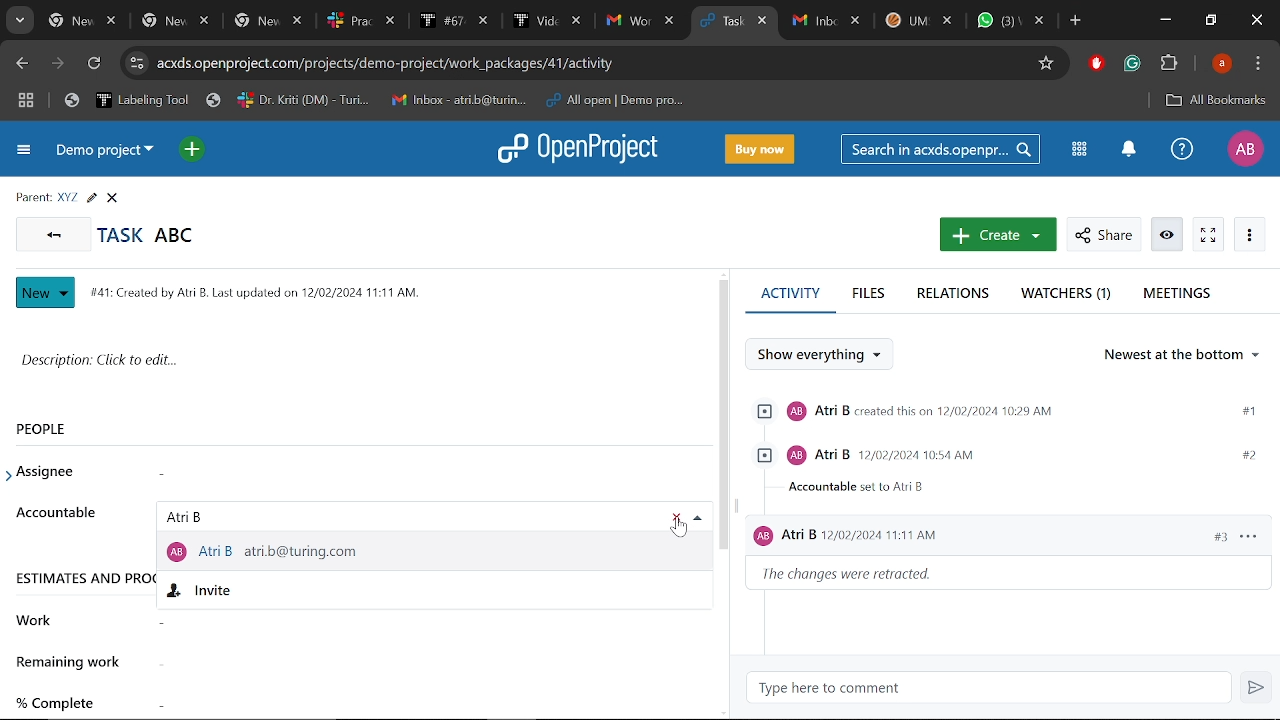 The height and width of the screenshot is (720, 1280). Describe the element at coordinates (1258, 66) in the screenshot. I see `Customize and control chorme` at that location.